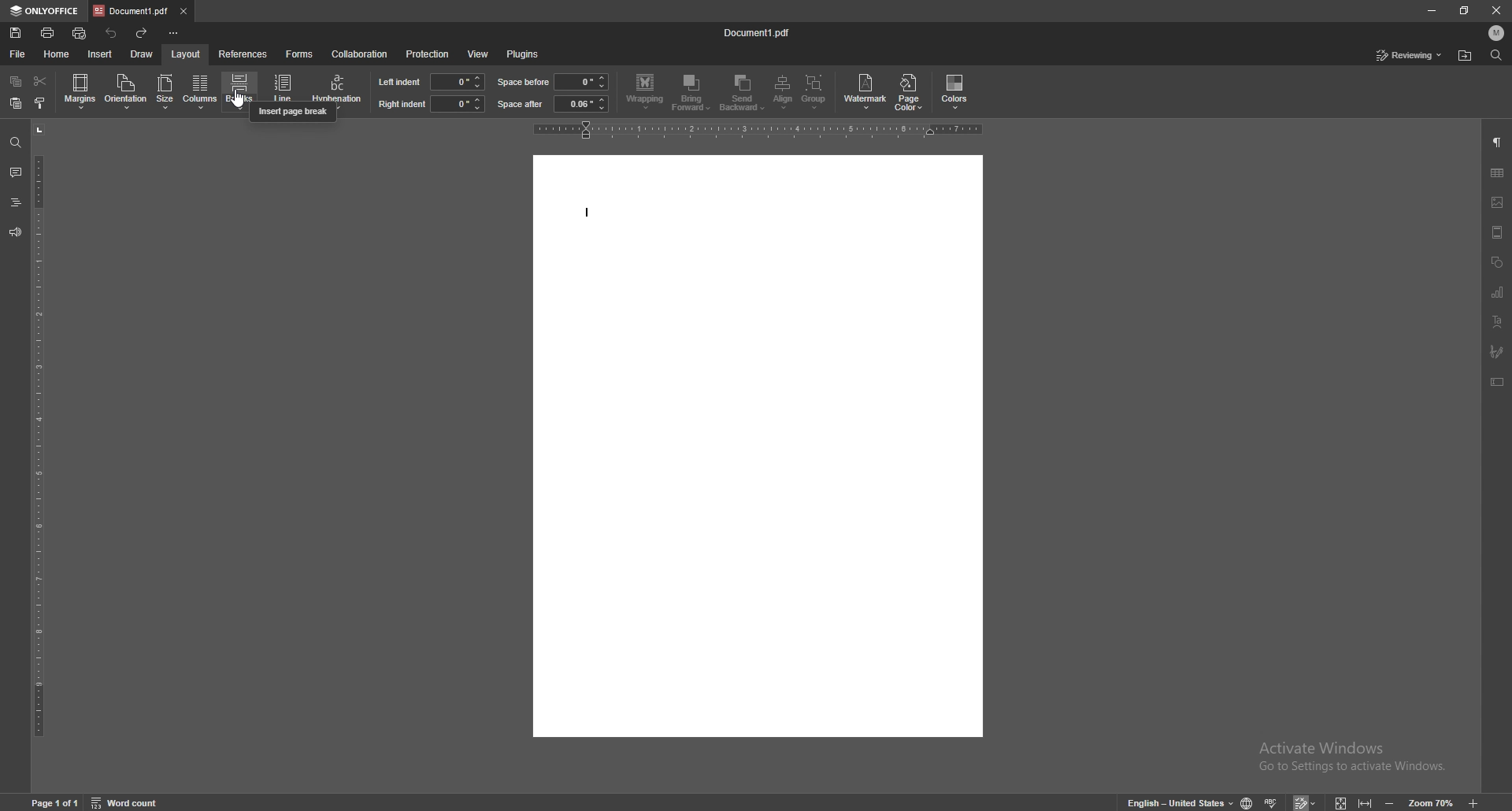  What do you see at coordinates (743, 93) in the screenshot?
I see `send backward` at bounding box center [743, 93].